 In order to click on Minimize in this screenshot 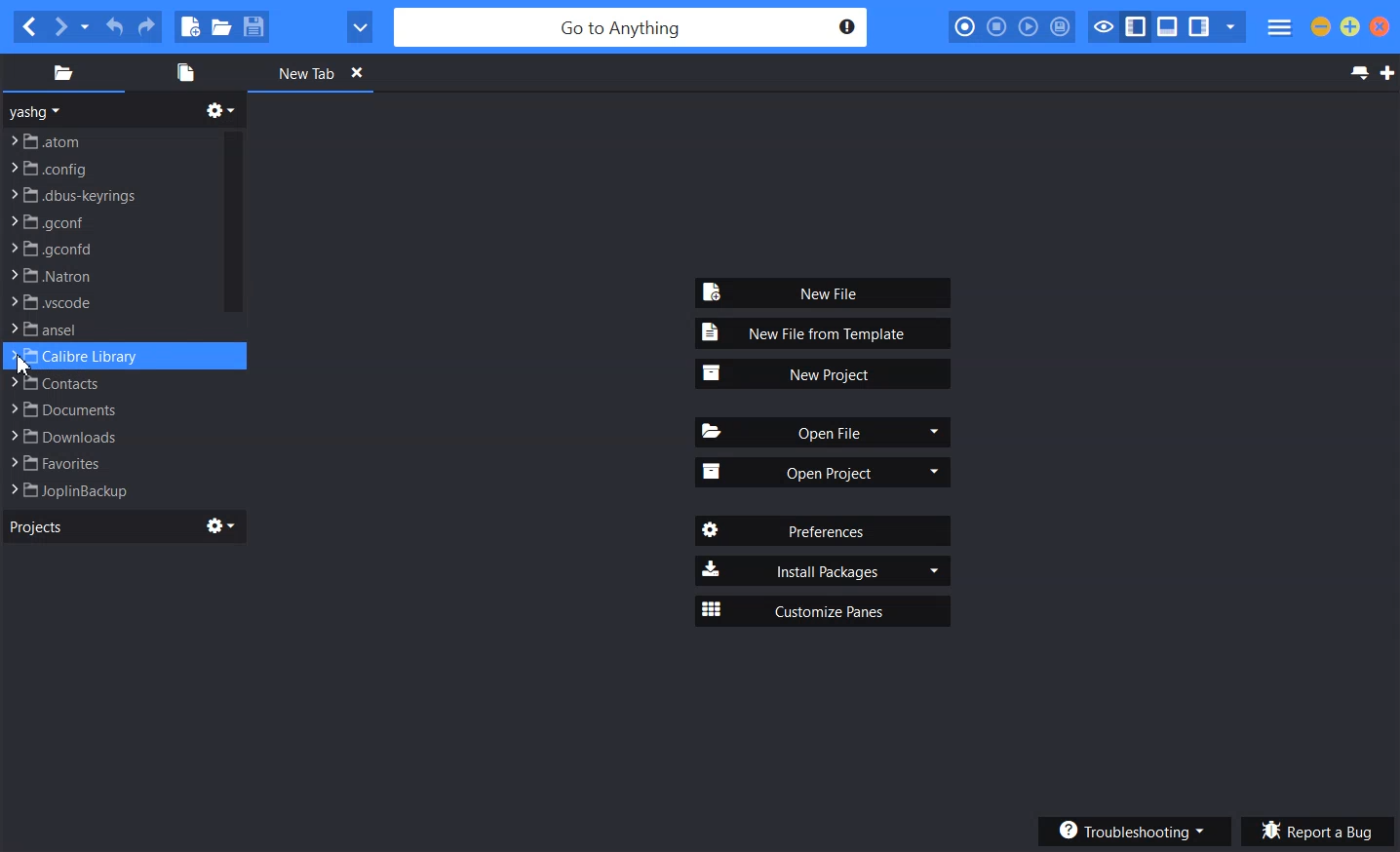, I will do `click(1321, 26)`.